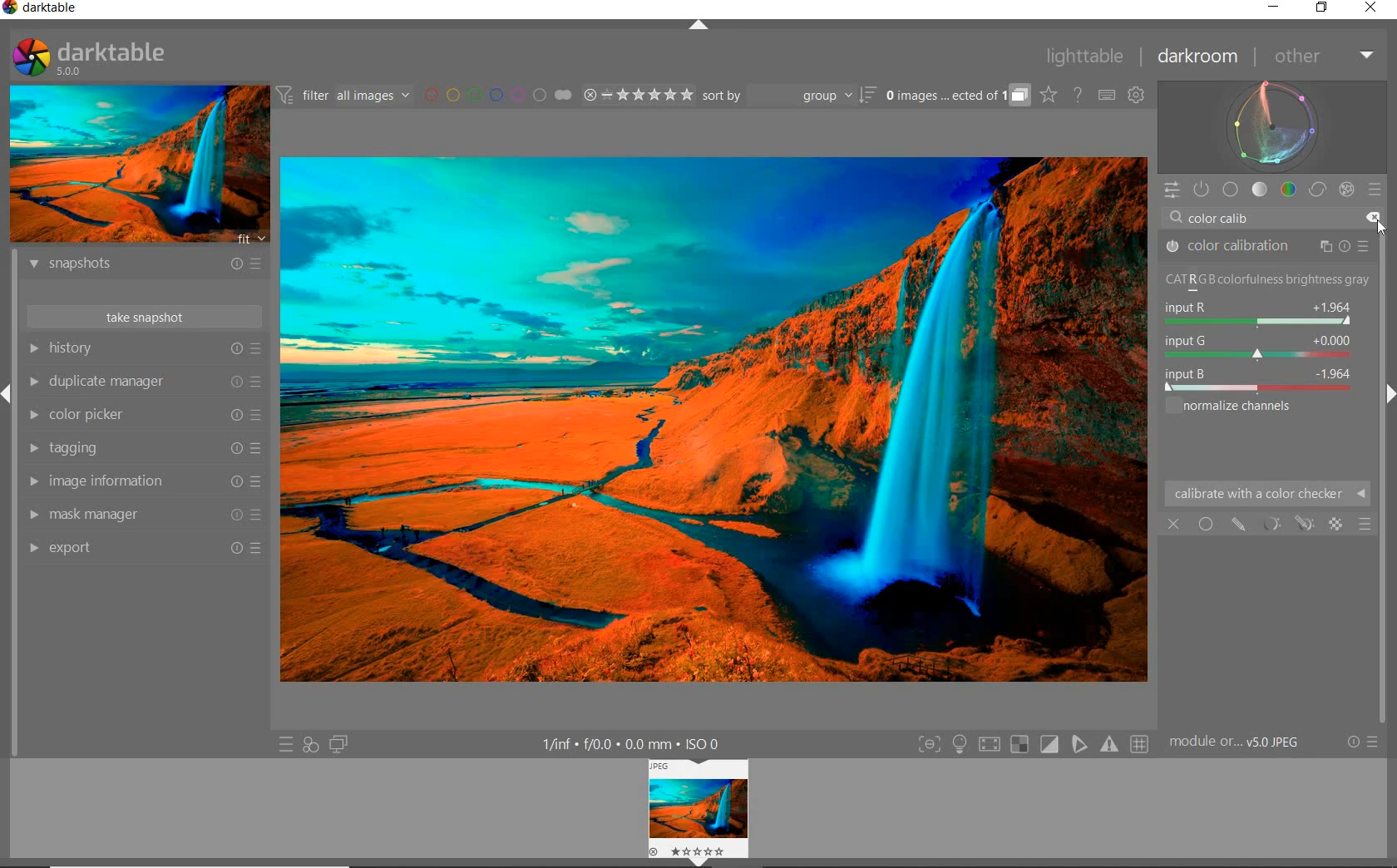 The image size is (1397, 868). What do you see at coordinates (144, 448) in the screenshot?
I see `tagging` at bounding box center [144, 448].